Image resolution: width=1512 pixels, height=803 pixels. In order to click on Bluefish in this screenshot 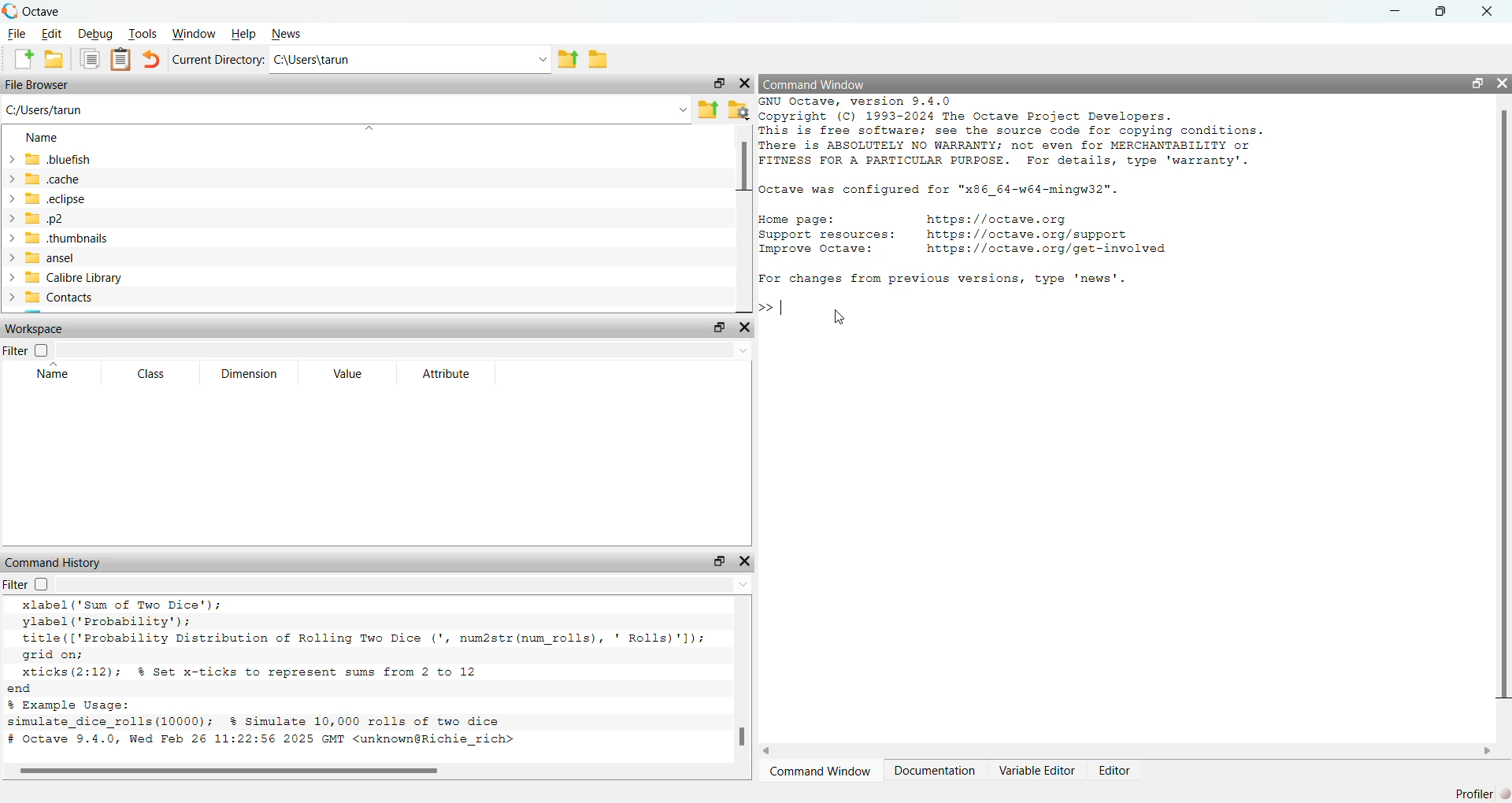, I will do `click(48, 159)`.